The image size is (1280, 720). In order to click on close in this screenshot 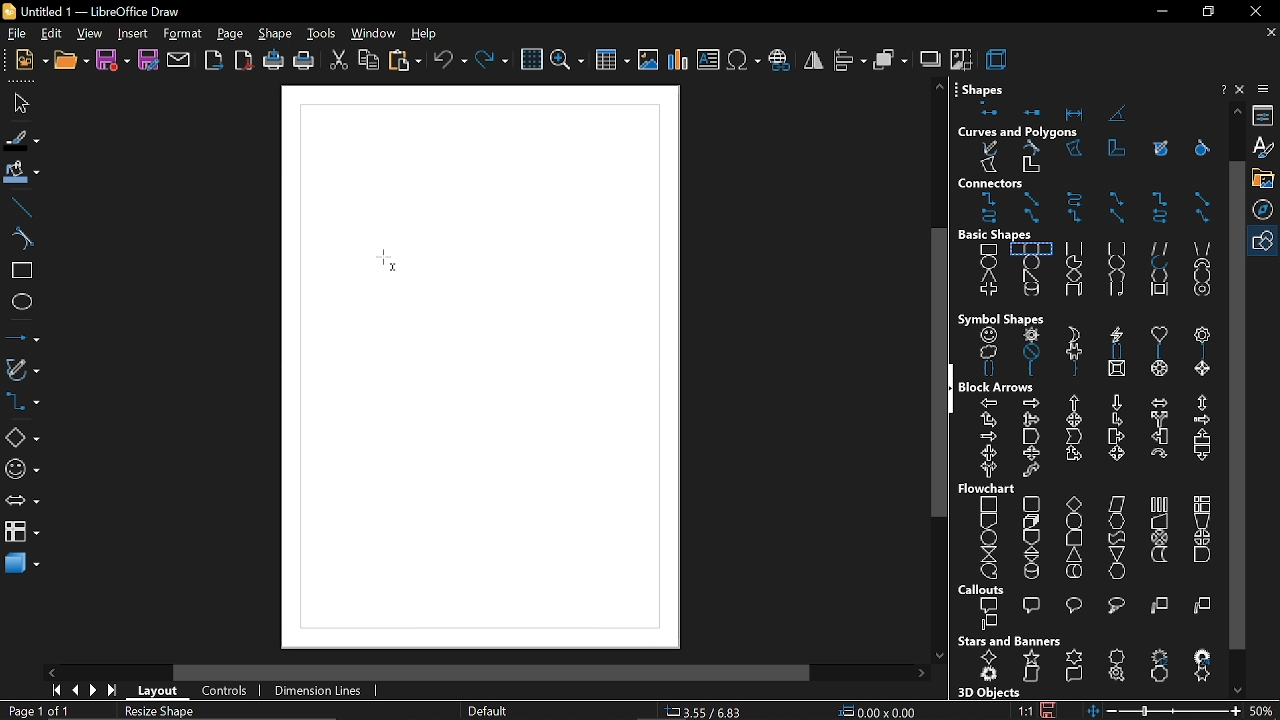, I will do `click(1254, 11)`.